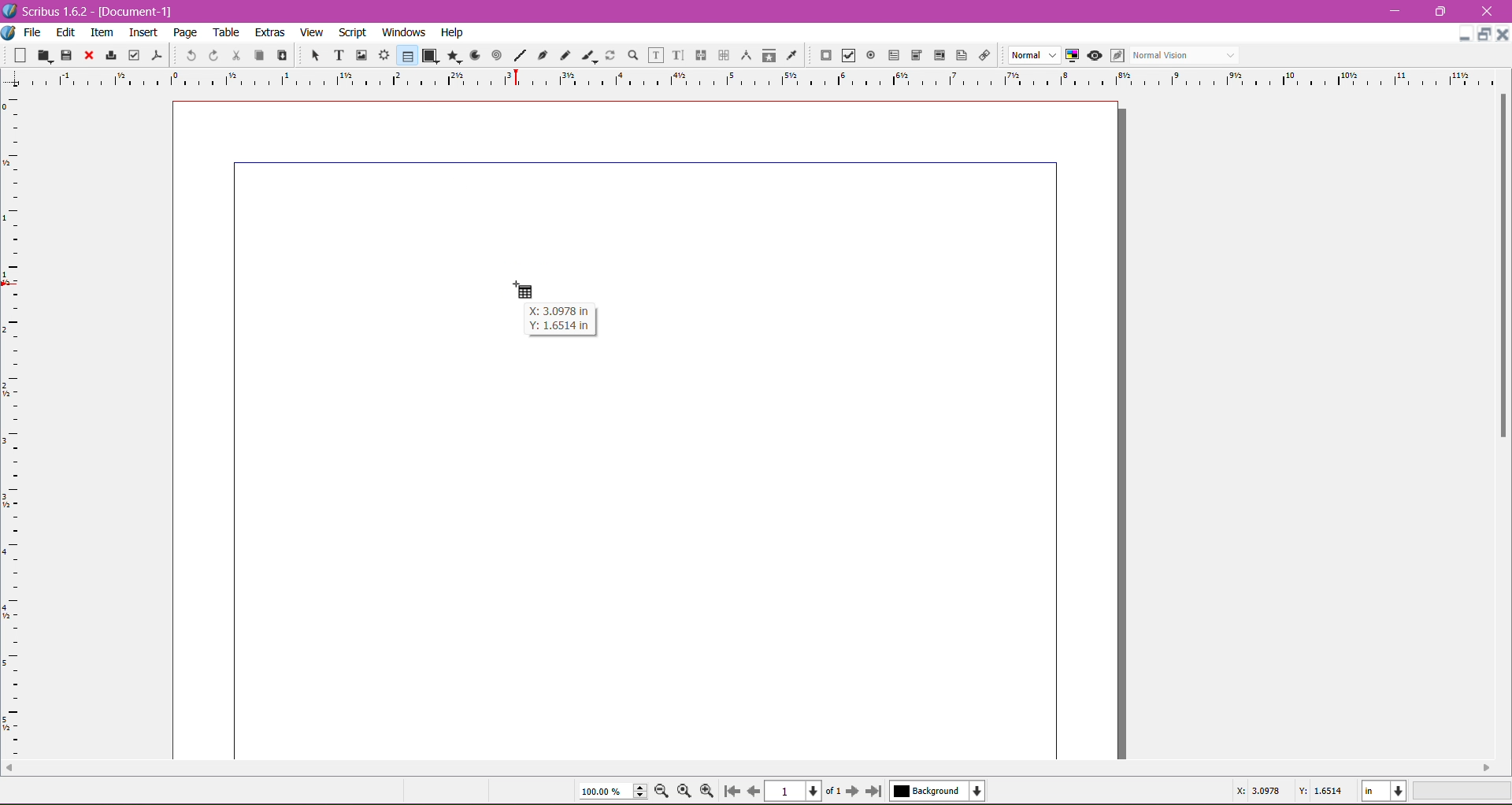 This screenshot has height=805, width=1512. Describe the element at coordinates (1488, 12) in the screenshot. I see `Close` at that location.